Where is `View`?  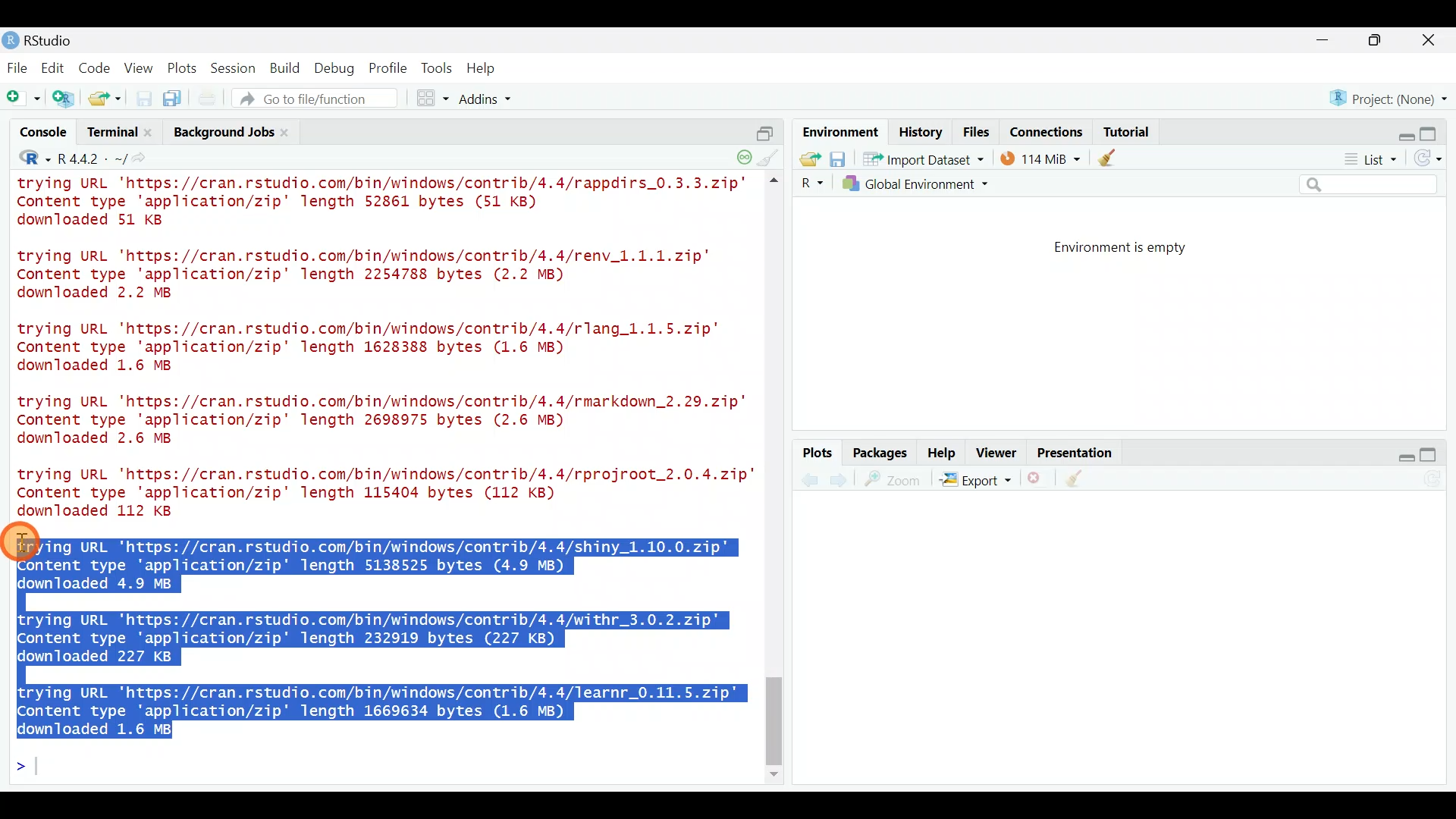
View is located at coordinates (140, 67).